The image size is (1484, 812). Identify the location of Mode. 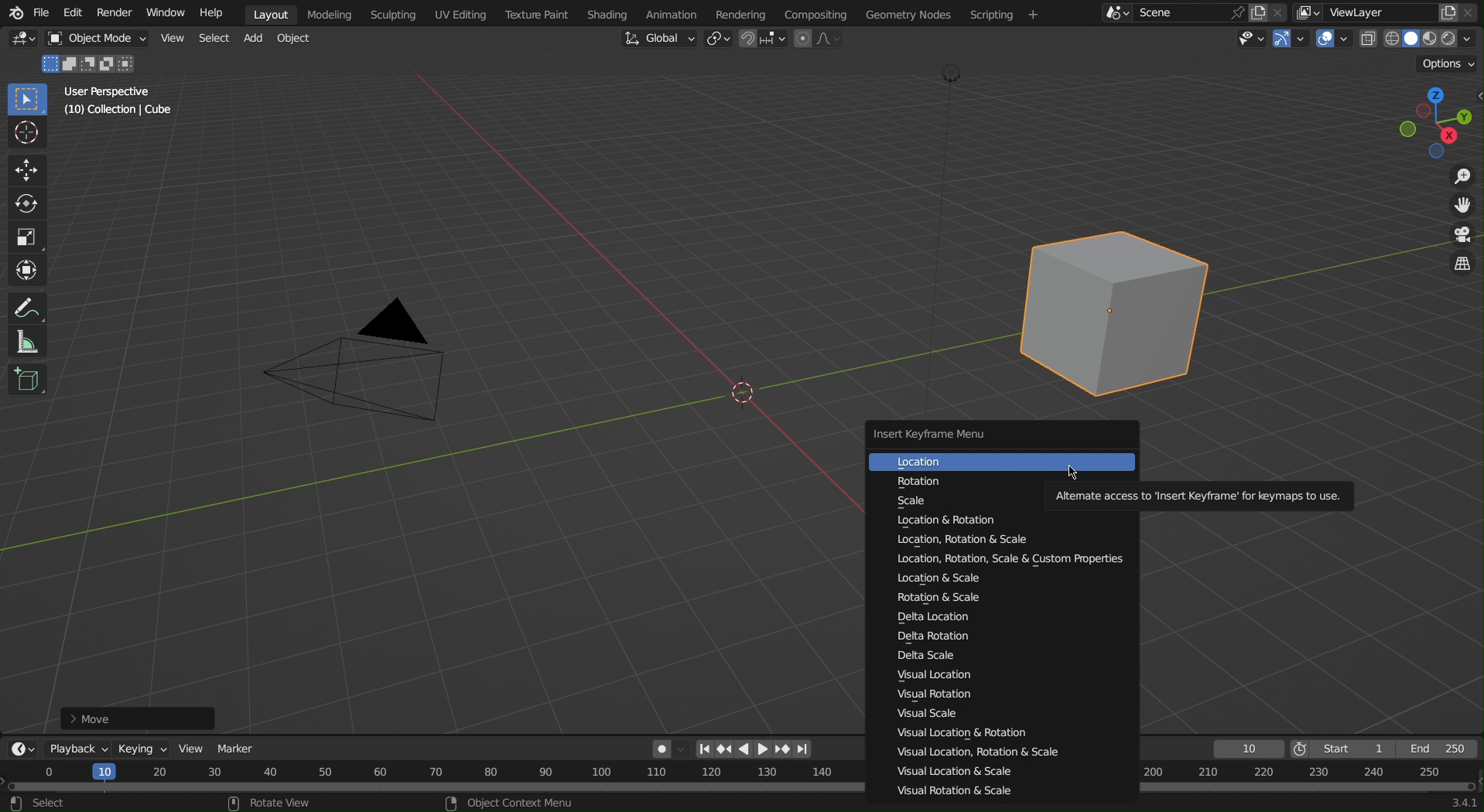
(91, 65).